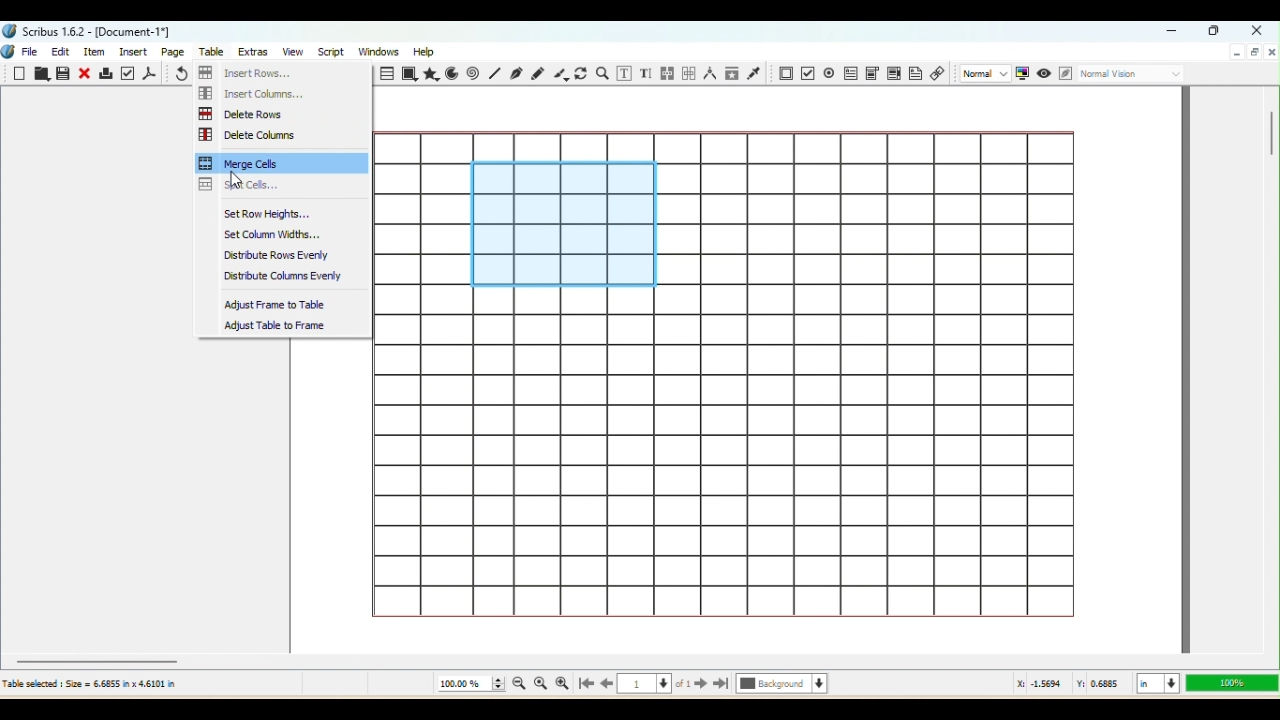  What do you see at coordinates (849, 72) in the screenshot?
I see `PDF text field` at bounding box center [849, 72].